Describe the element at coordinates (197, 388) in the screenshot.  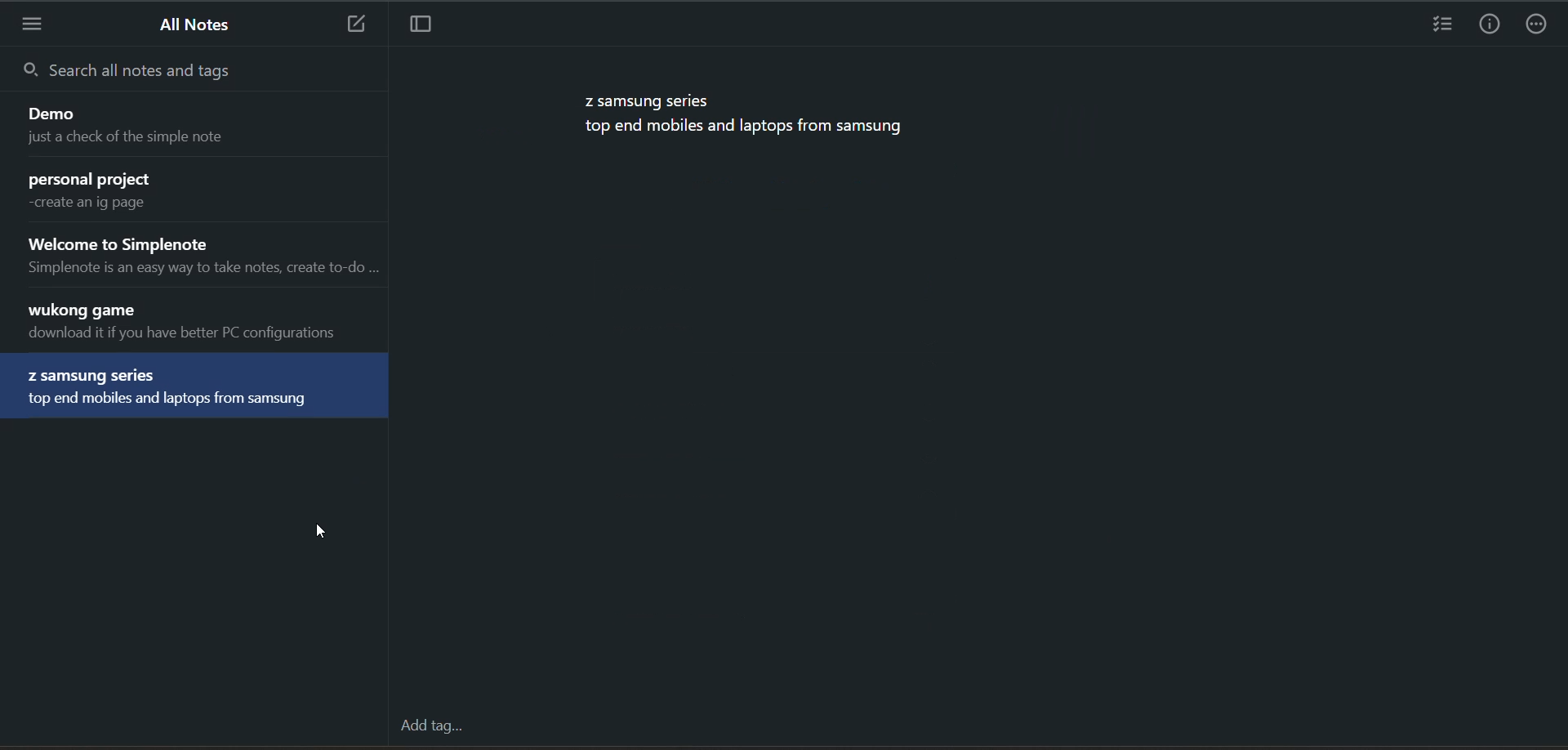
I see `Z samsung series
top end mobiles and laptops from samsung` at that location.